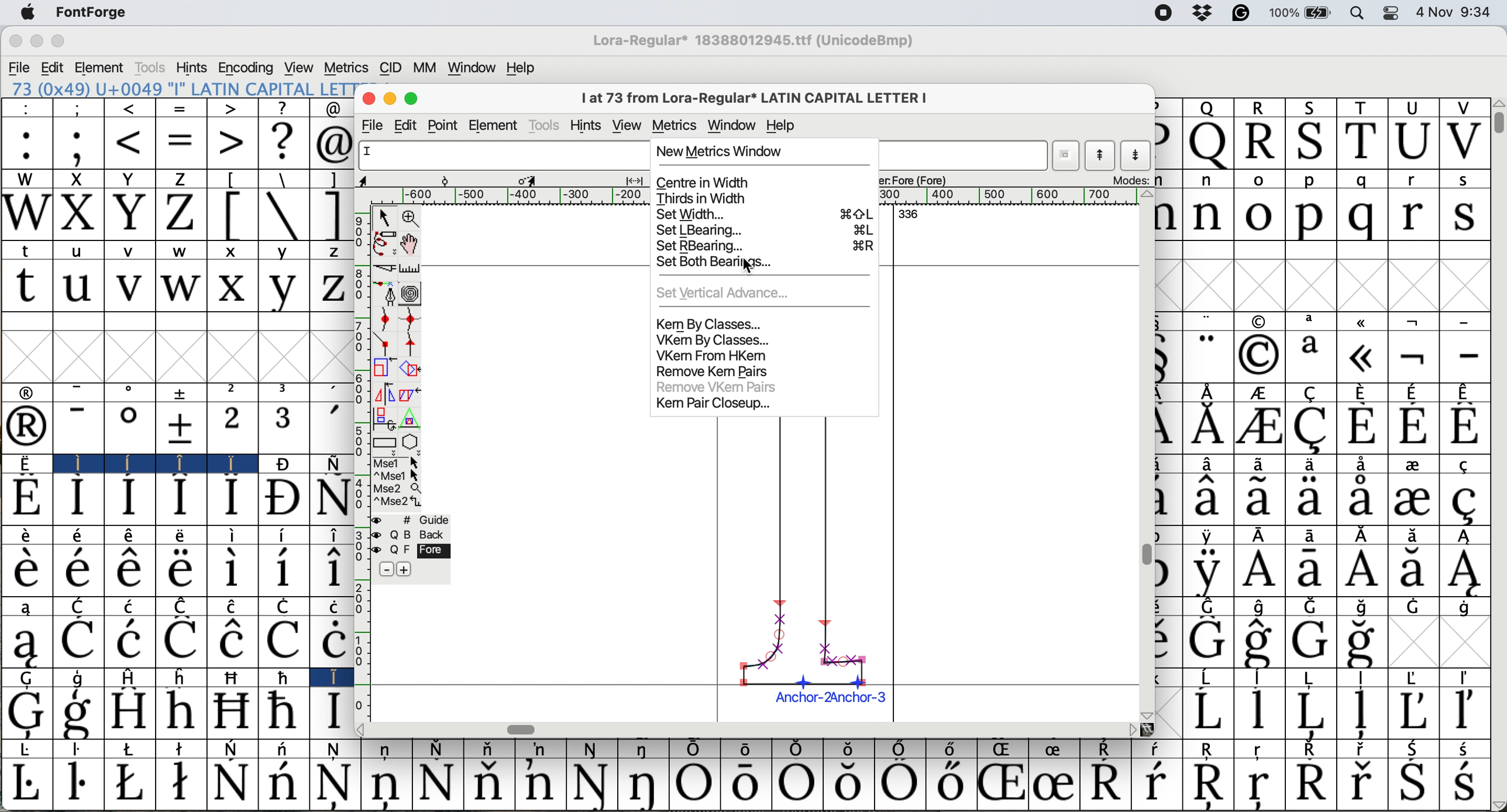 This screenshot has width=1507, height=812. What do you see at coordinates (1309, 783) in the screenshot?
I see `Symbol` at bounding box center [1309, 783].